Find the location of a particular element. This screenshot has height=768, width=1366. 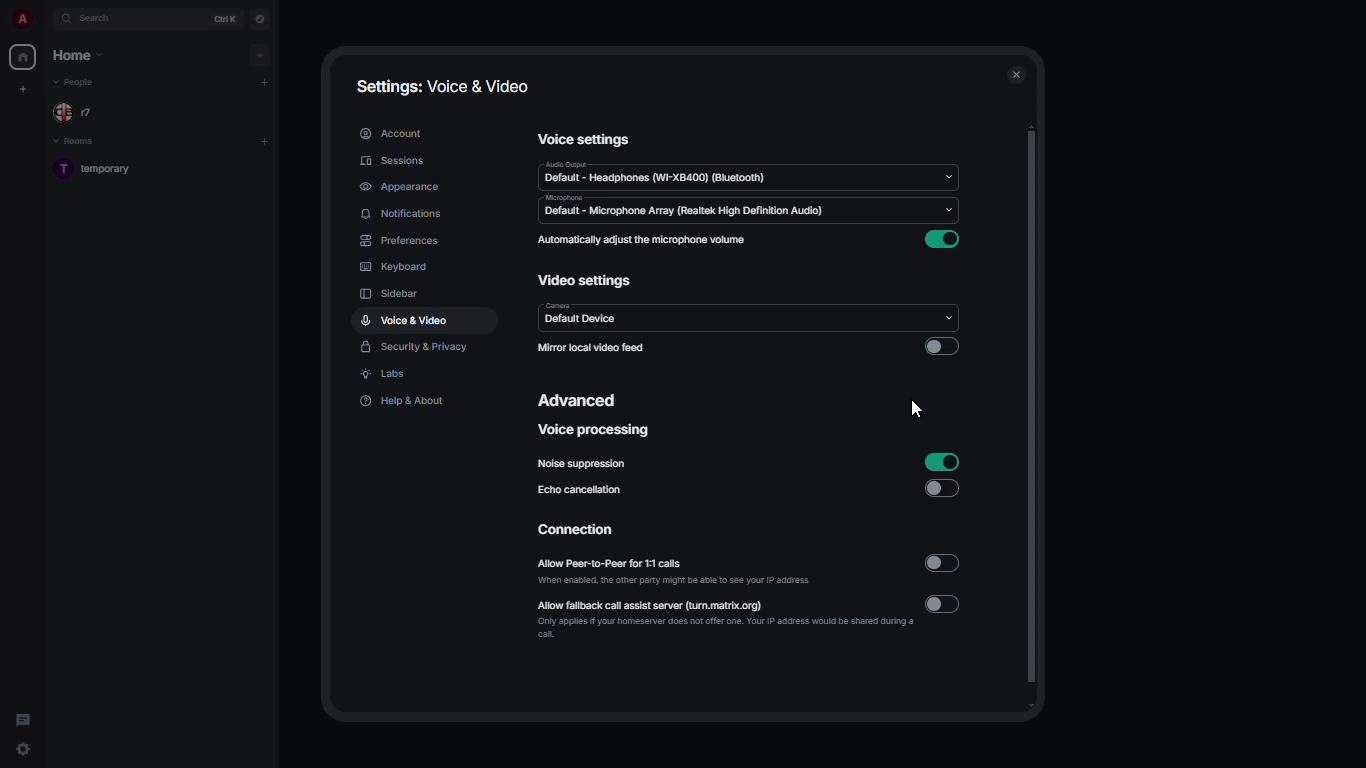

scroll bar is located at coordinates (1032, 419).